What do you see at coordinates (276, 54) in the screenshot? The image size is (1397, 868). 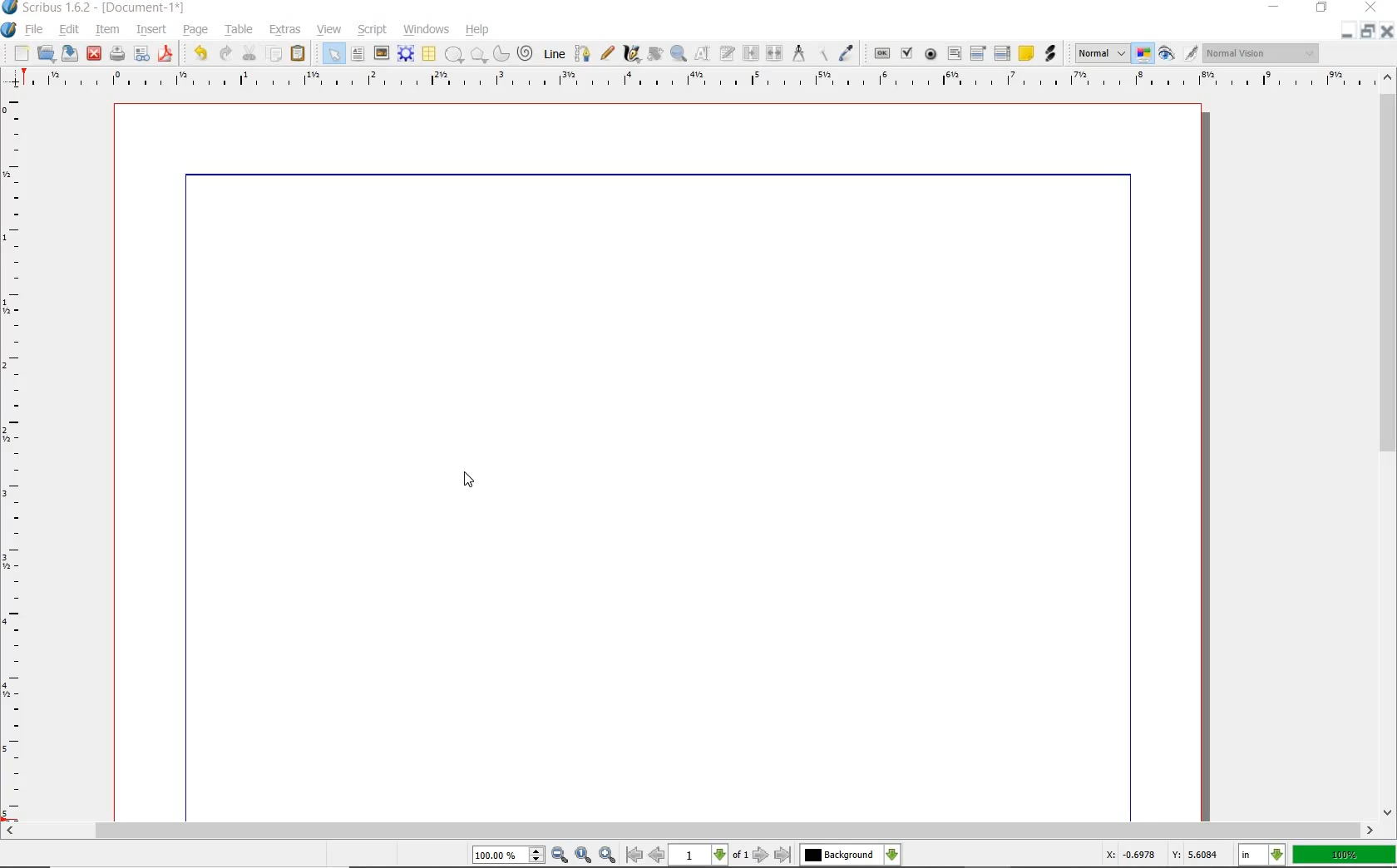 I see `COPY` at bounding box center [276, 54].